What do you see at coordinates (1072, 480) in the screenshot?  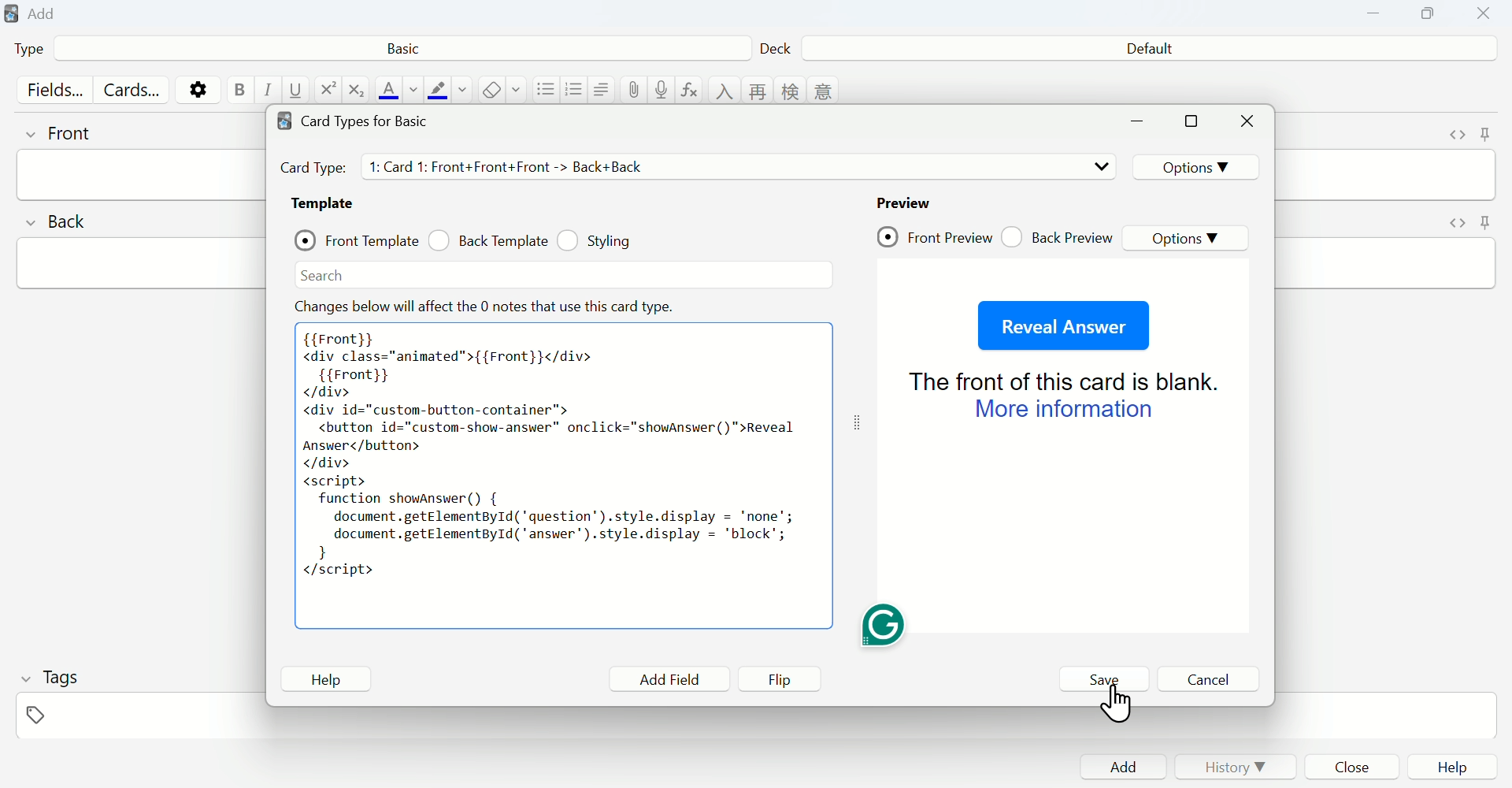 I see `Preview page` at bounding box center [1072, 480].